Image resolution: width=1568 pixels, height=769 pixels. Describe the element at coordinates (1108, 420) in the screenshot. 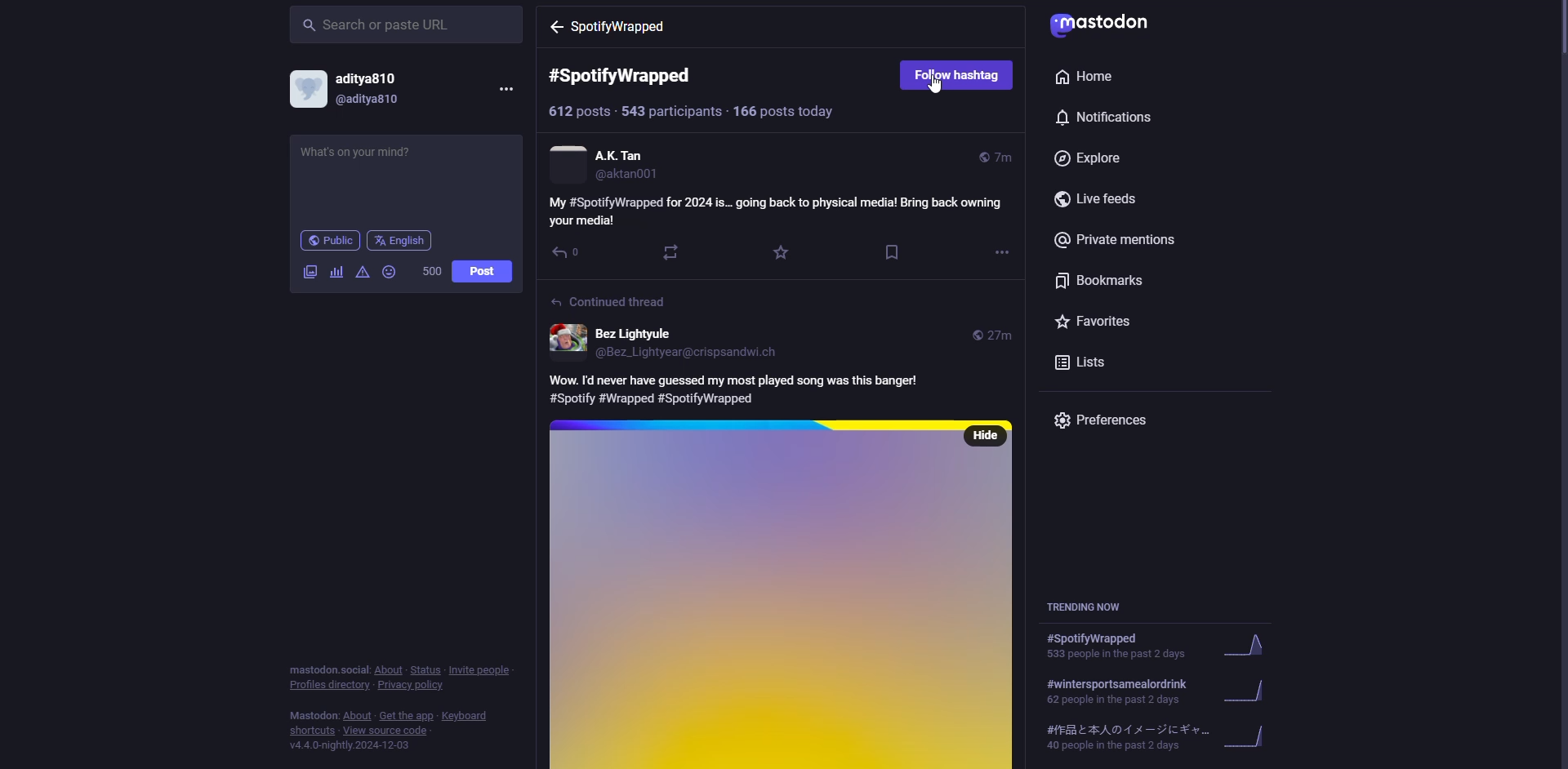

I see `preferences` at that location.